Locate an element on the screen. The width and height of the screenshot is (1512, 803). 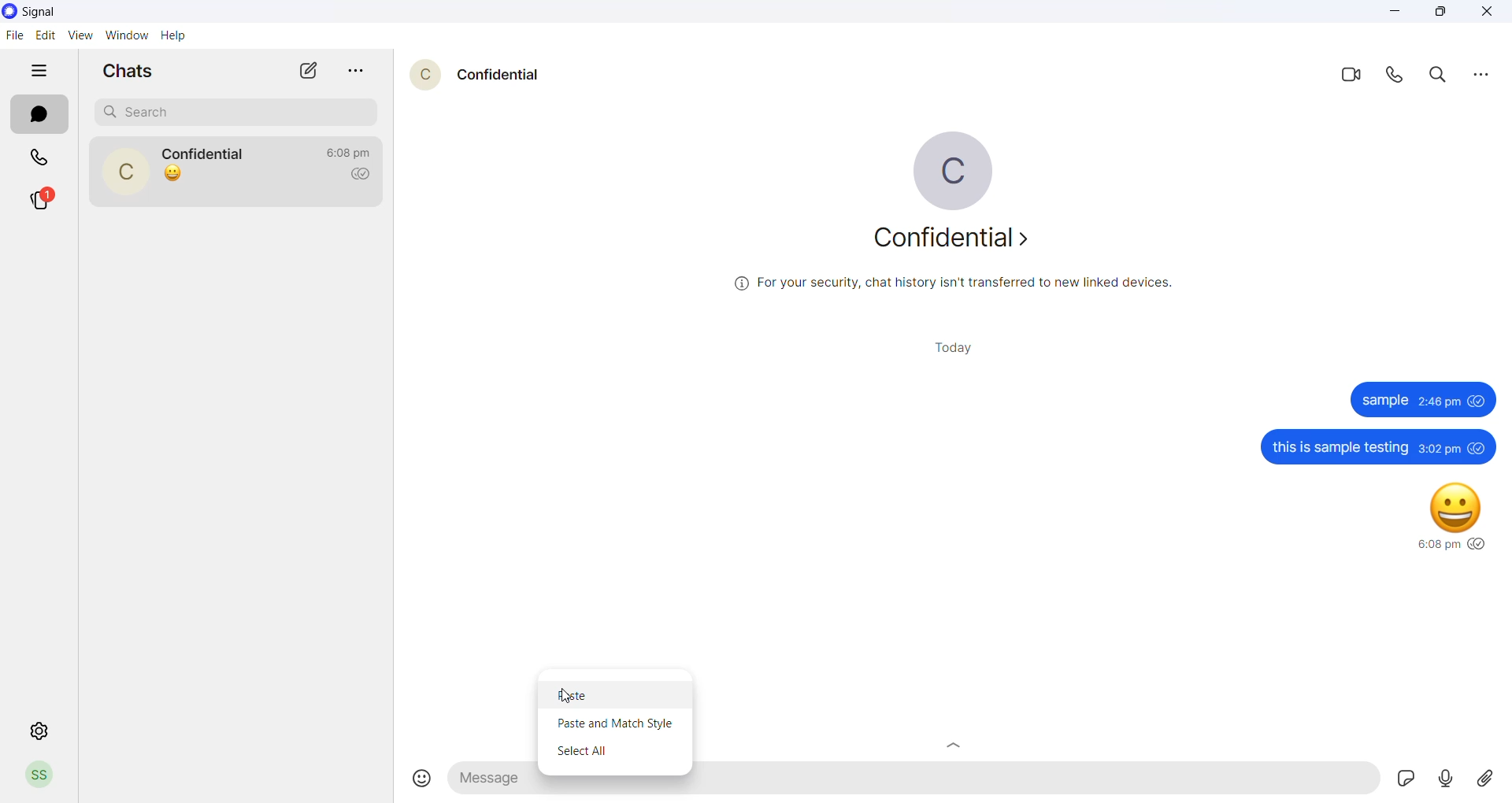
close is located at coordinates (1488, 13).